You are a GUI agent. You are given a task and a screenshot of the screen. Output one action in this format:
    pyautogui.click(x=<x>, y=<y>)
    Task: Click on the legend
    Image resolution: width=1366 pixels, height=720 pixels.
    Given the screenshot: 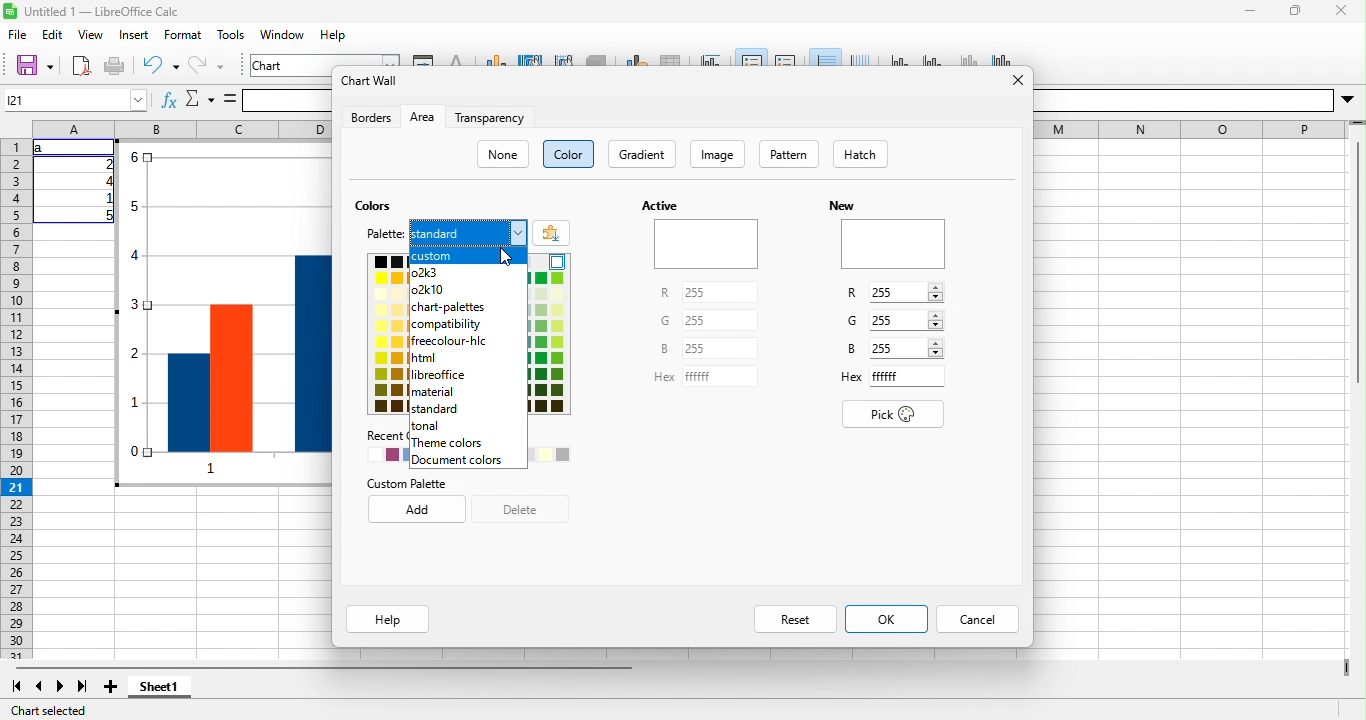 What is the action you would take?
    pyautogui.click(x=786, y=58)
    